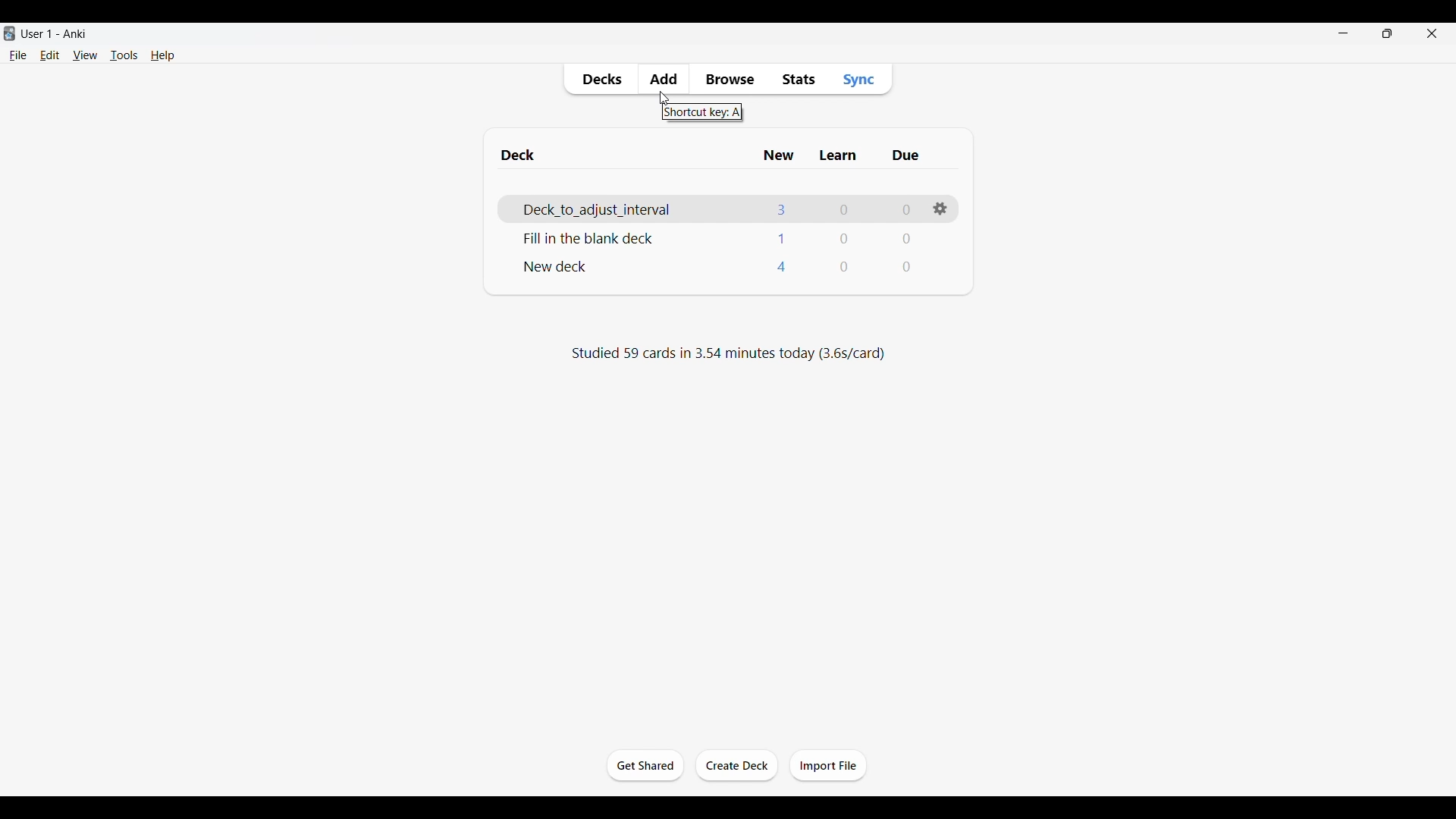  What do you see at coordinates (665, 98) in the screenshot?
I see `Cursor clicking on Add` at bounding box center [665, 98].